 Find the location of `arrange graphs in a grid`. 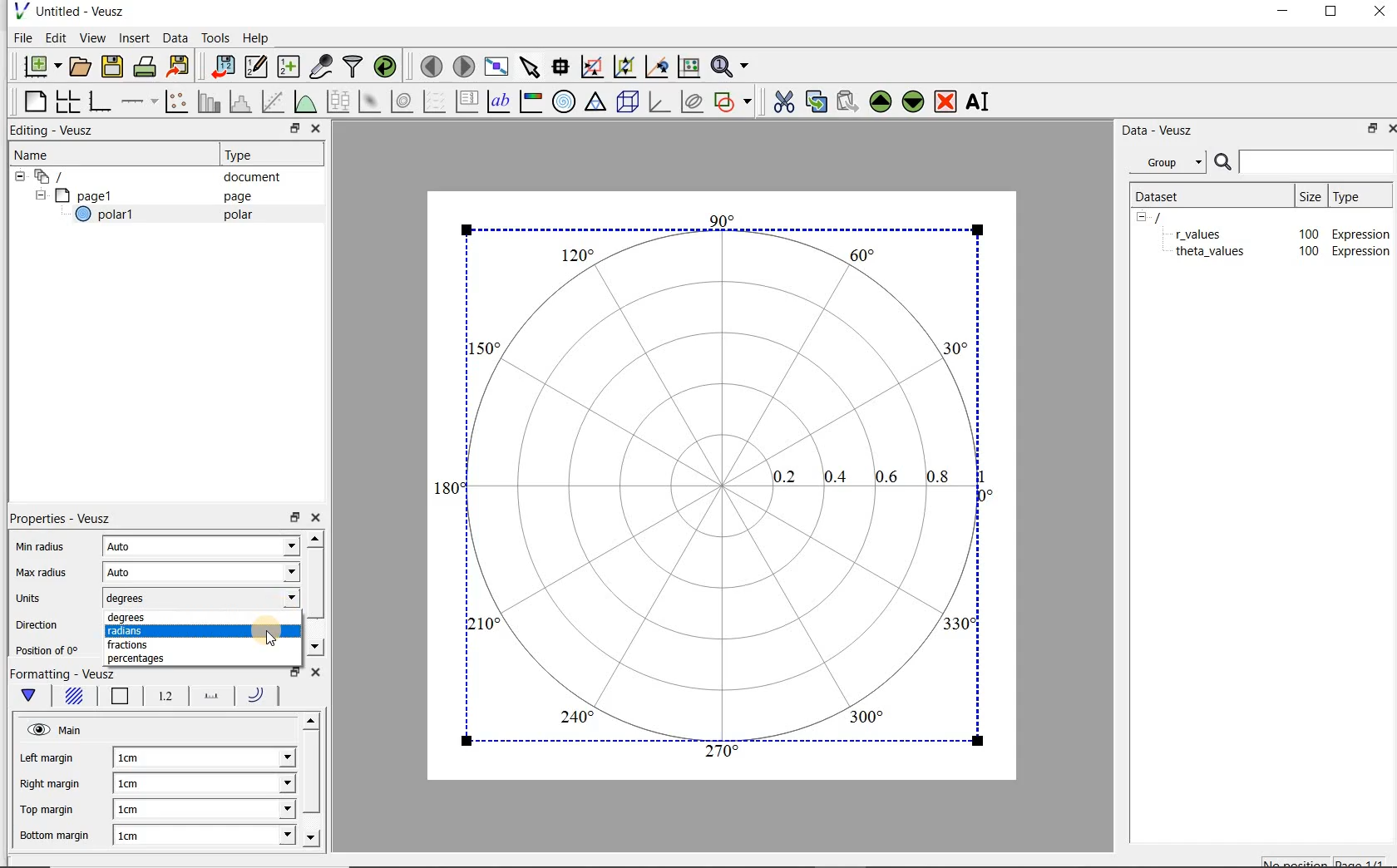

arrange graphs in a grid is located at coordinates (67, 101).